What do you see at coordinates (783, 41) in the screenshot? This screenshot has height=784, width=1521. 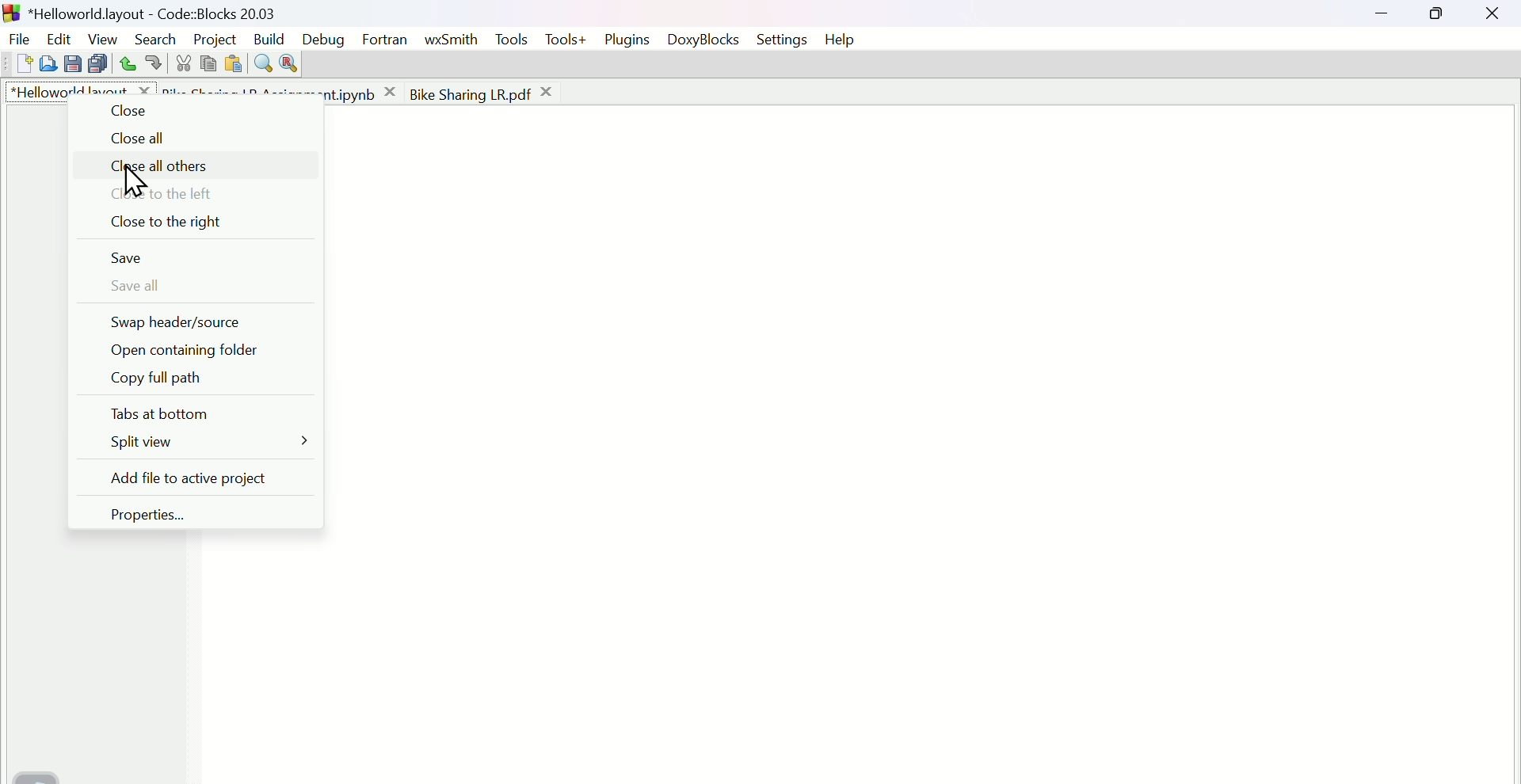 I see `Settings` at bounding box center [783, 41].